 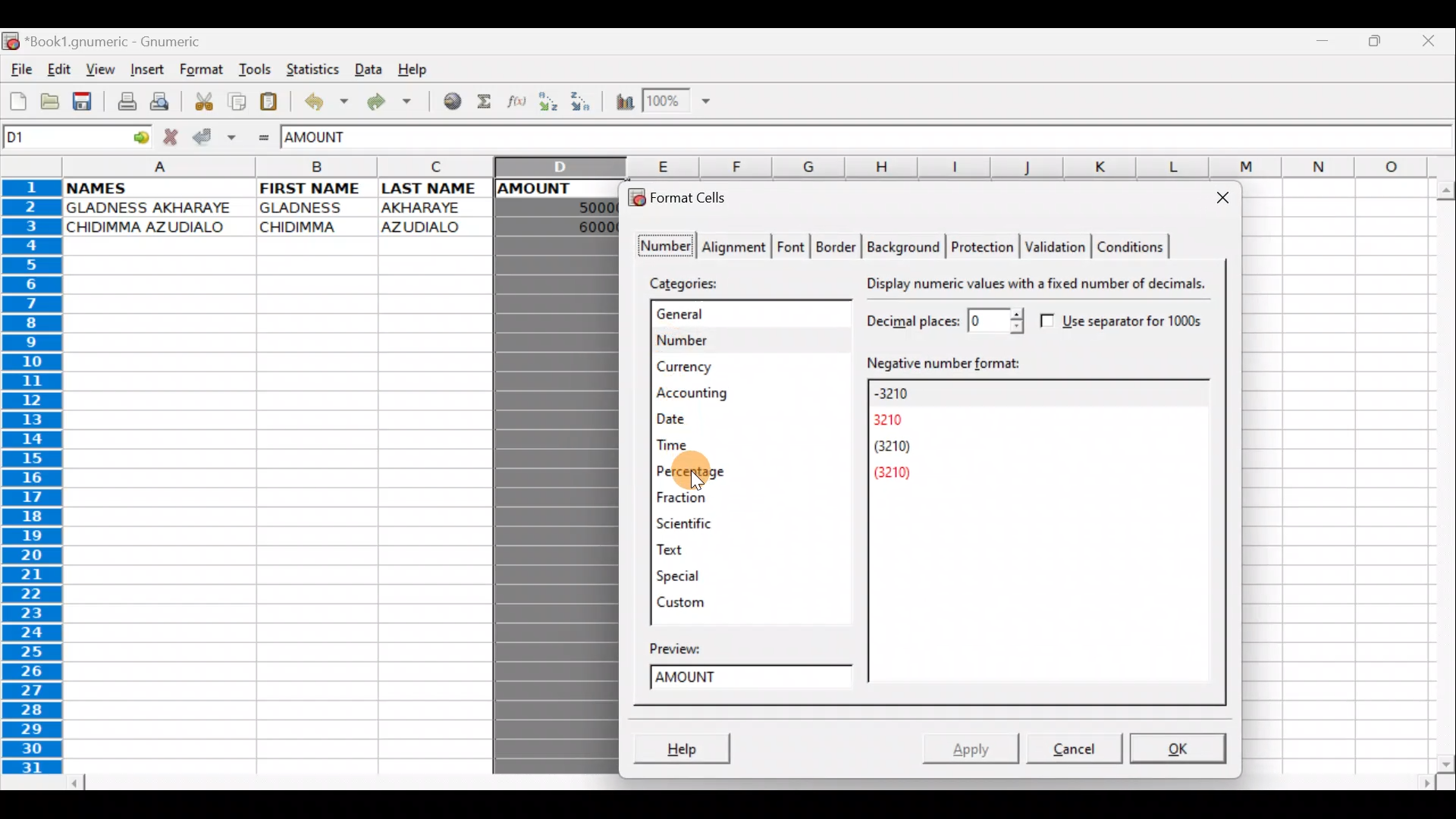 I want to click on Maximize, so click(x=1375, y=45).